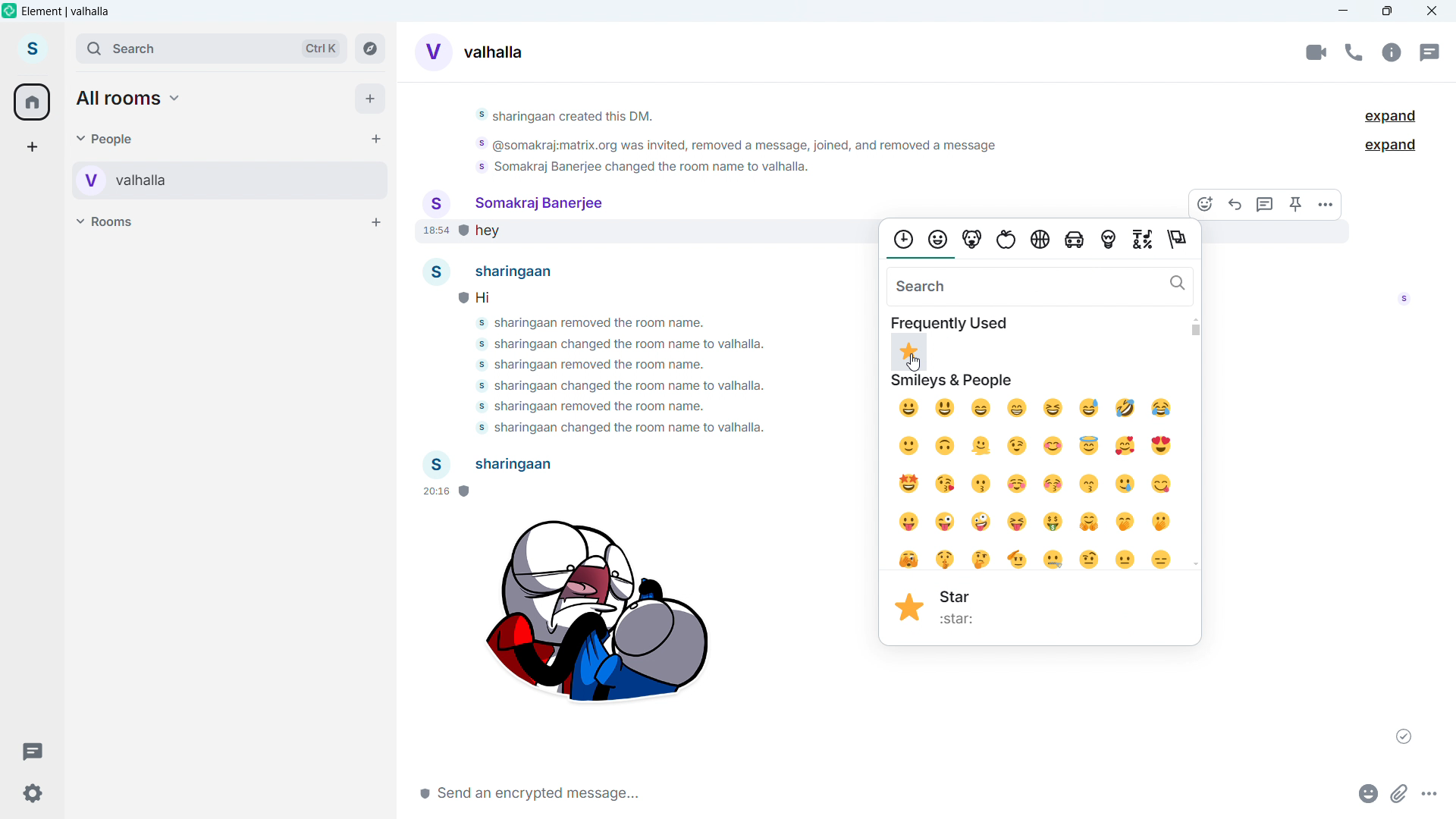 This screenshot has height=819, width=1456. I want to click on frequently used, so click(902, 239).